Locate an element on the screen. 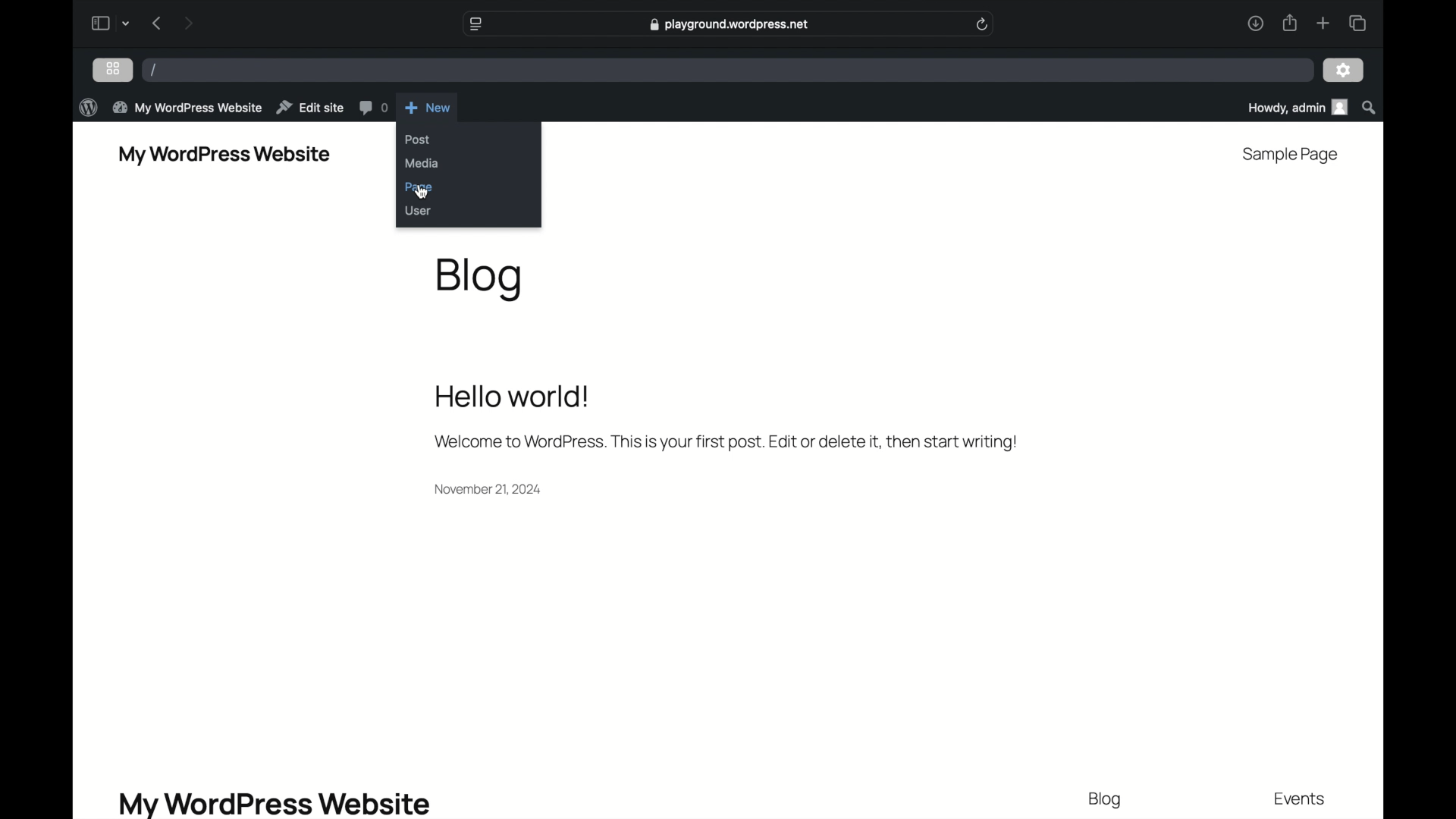  previous page is located at coordinates (157, 23).